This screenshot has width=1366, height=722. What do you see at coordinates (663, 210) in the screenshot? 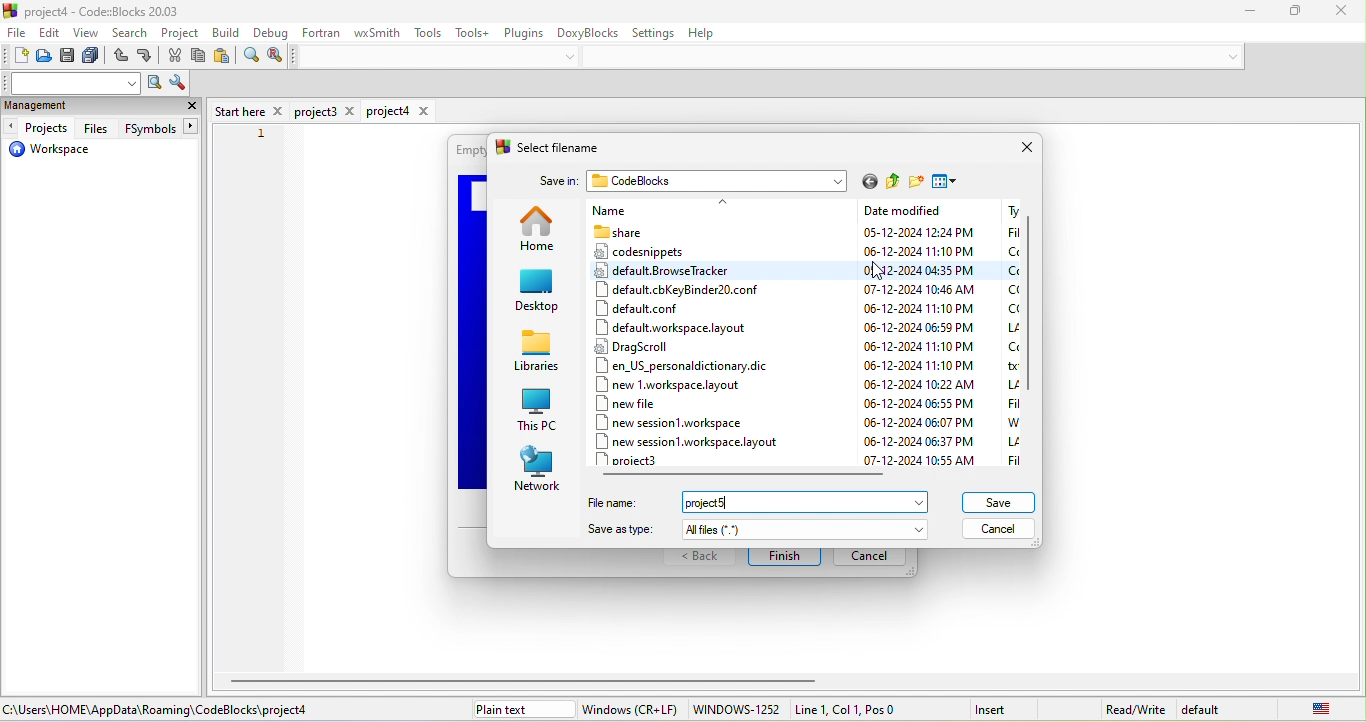
I see `name` at bounding box center [663, 210].